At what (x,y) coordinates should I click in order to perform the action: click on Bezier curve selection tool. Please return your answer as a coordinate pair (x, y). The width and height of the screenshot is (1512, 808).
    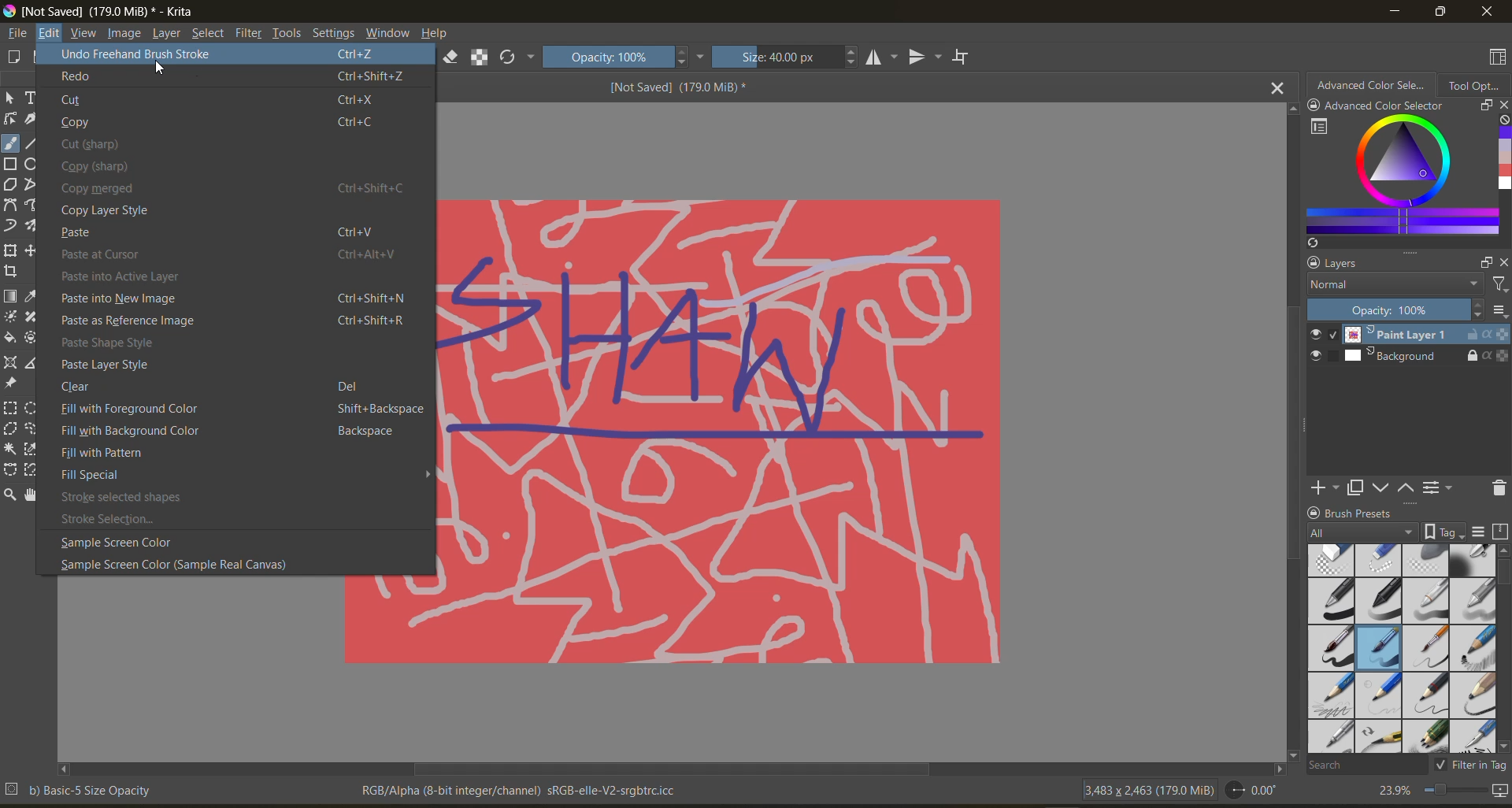
    Looking at the image, I should click on (12, 470).